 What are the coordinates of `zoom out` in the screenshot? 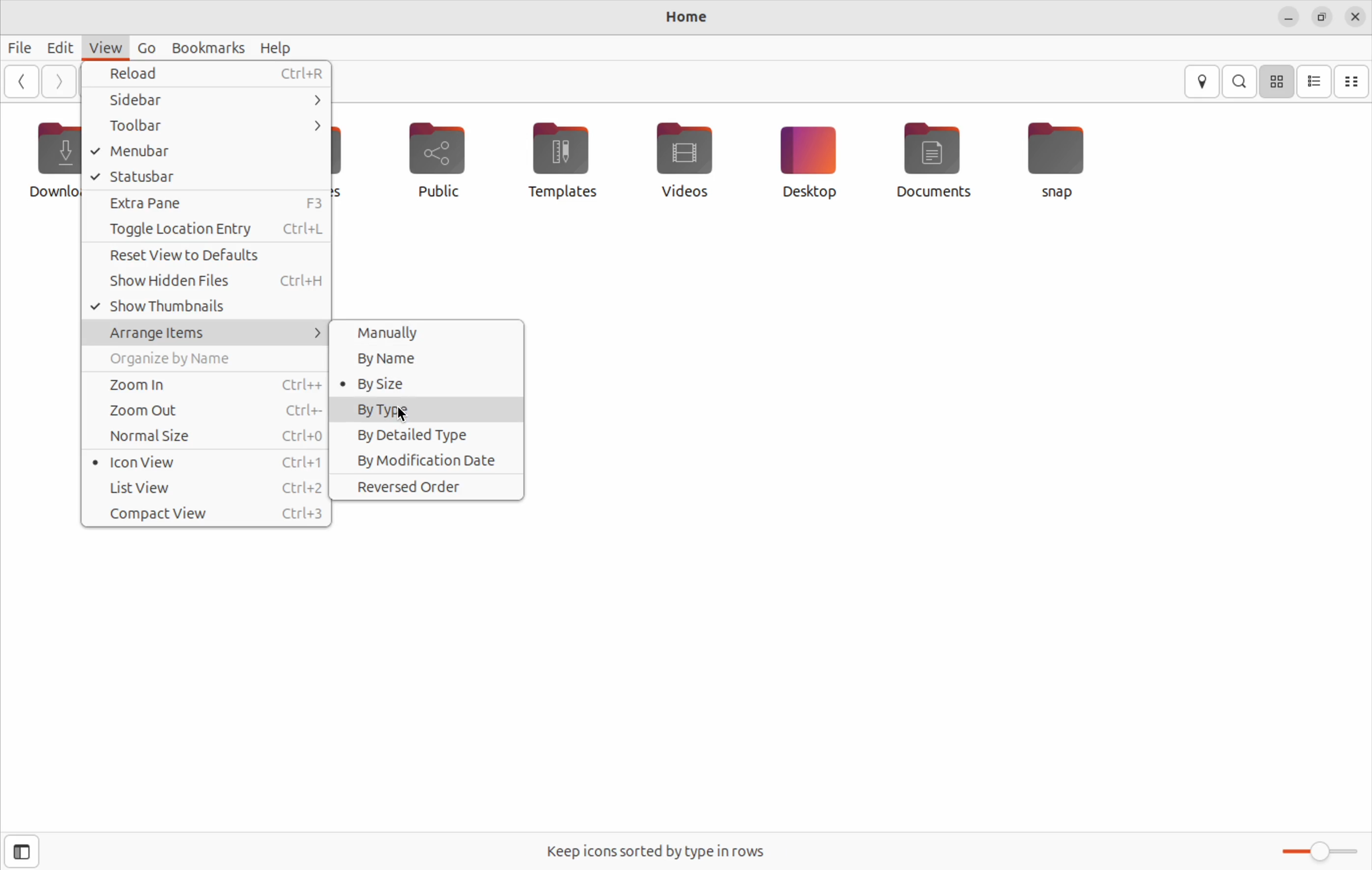 It's located at (208, 410).